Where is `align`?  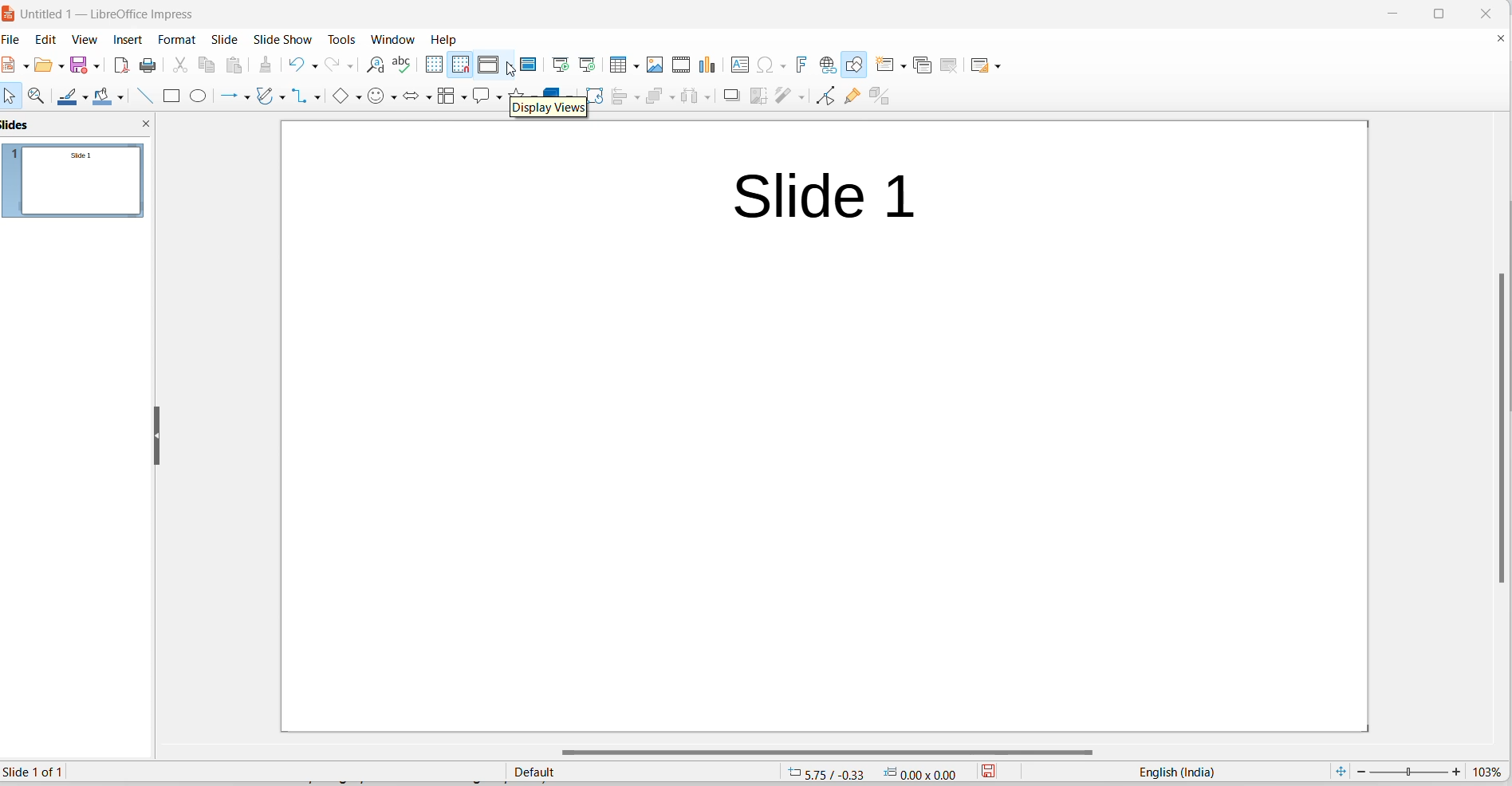
align is located at coordinates (619, 99).